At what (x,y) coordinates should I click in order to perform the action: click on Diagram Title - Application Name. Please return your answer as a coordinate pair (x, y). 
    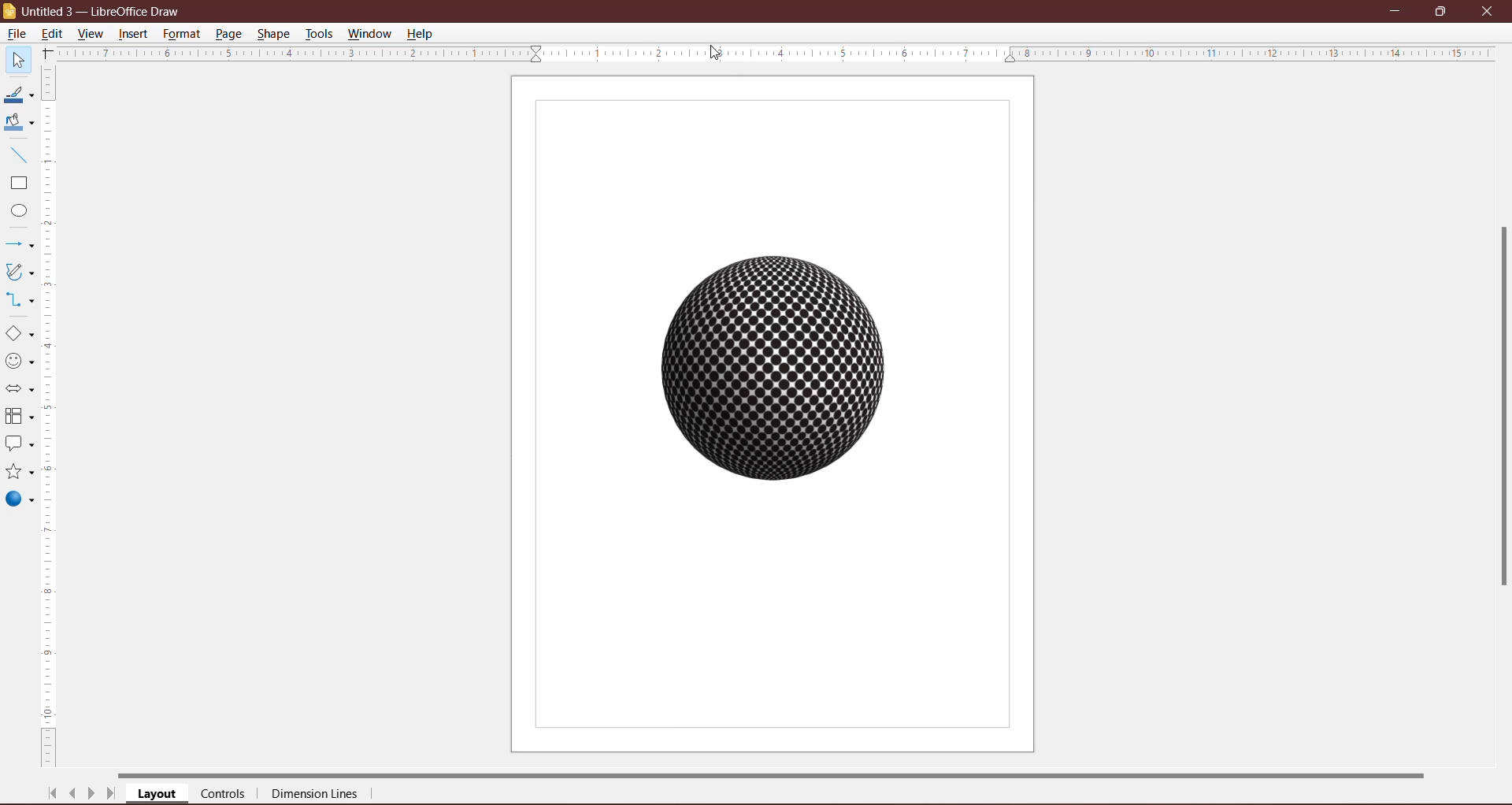
    Looking at the image, I should click on (106, 11).